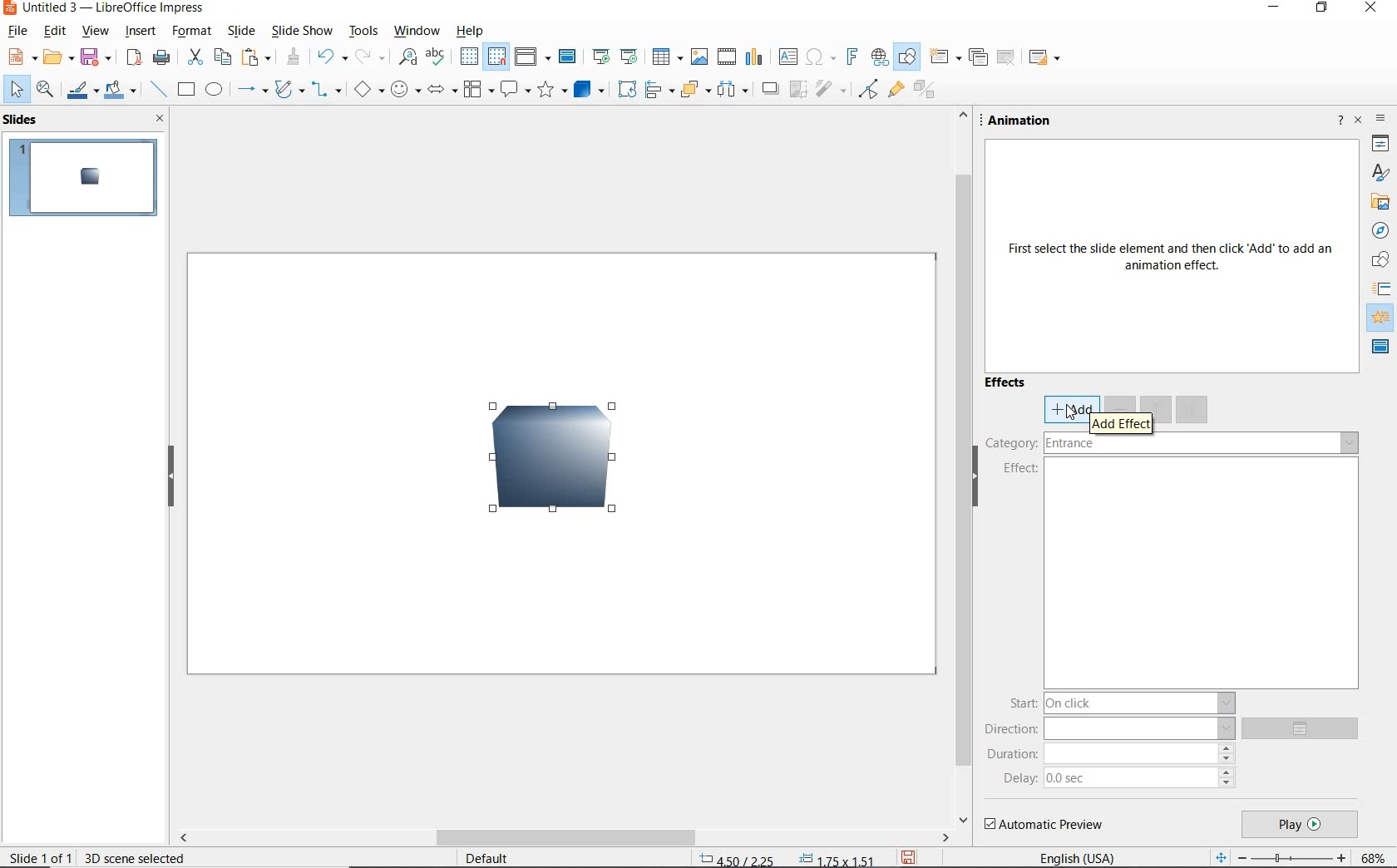  Describe the element at coordinates (1299, 825) in the screenshot. I see `play` at that location.